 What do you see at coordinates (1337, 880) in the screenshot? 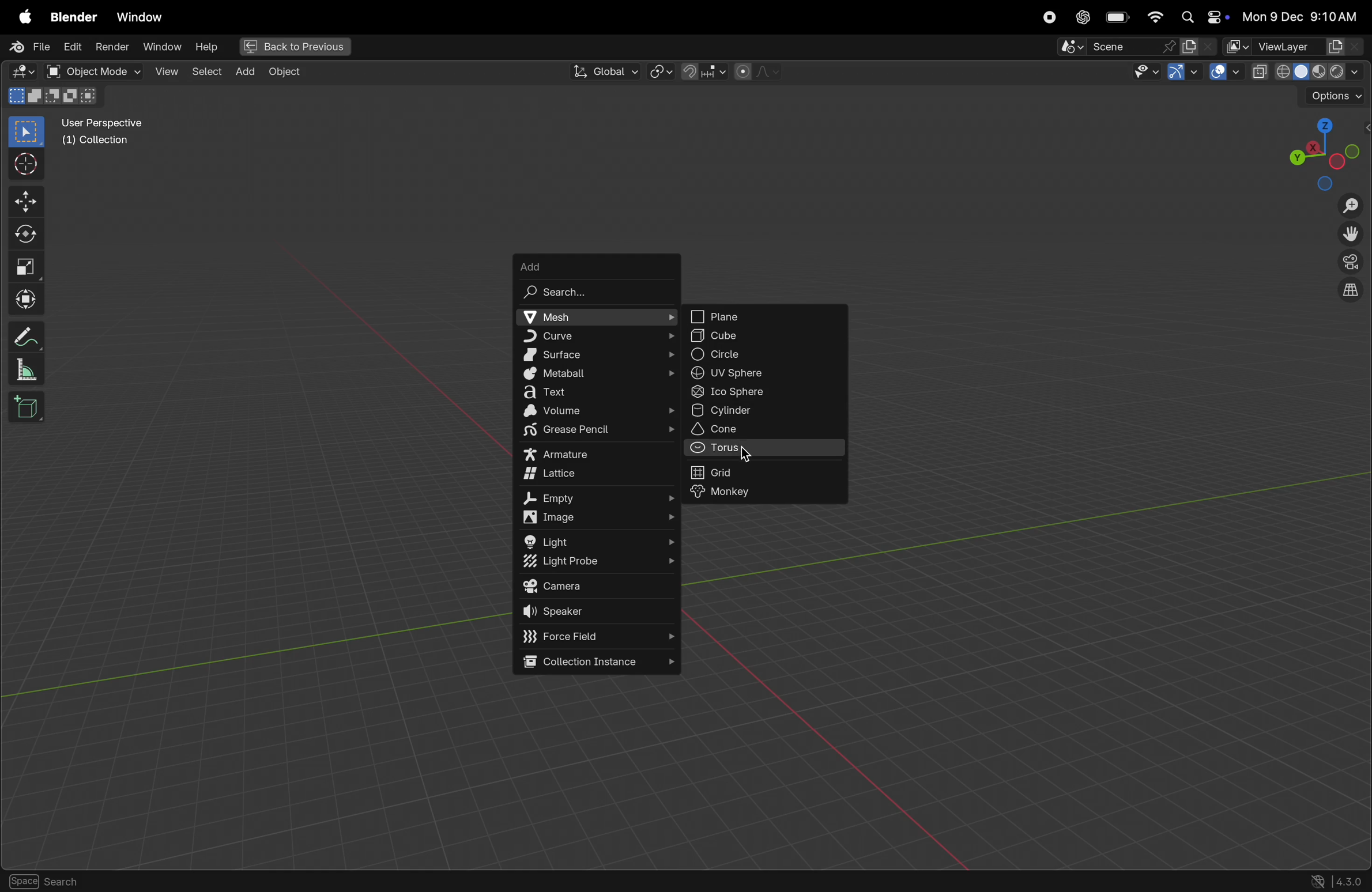
I see `versions` at bounding box center [1337, 880].